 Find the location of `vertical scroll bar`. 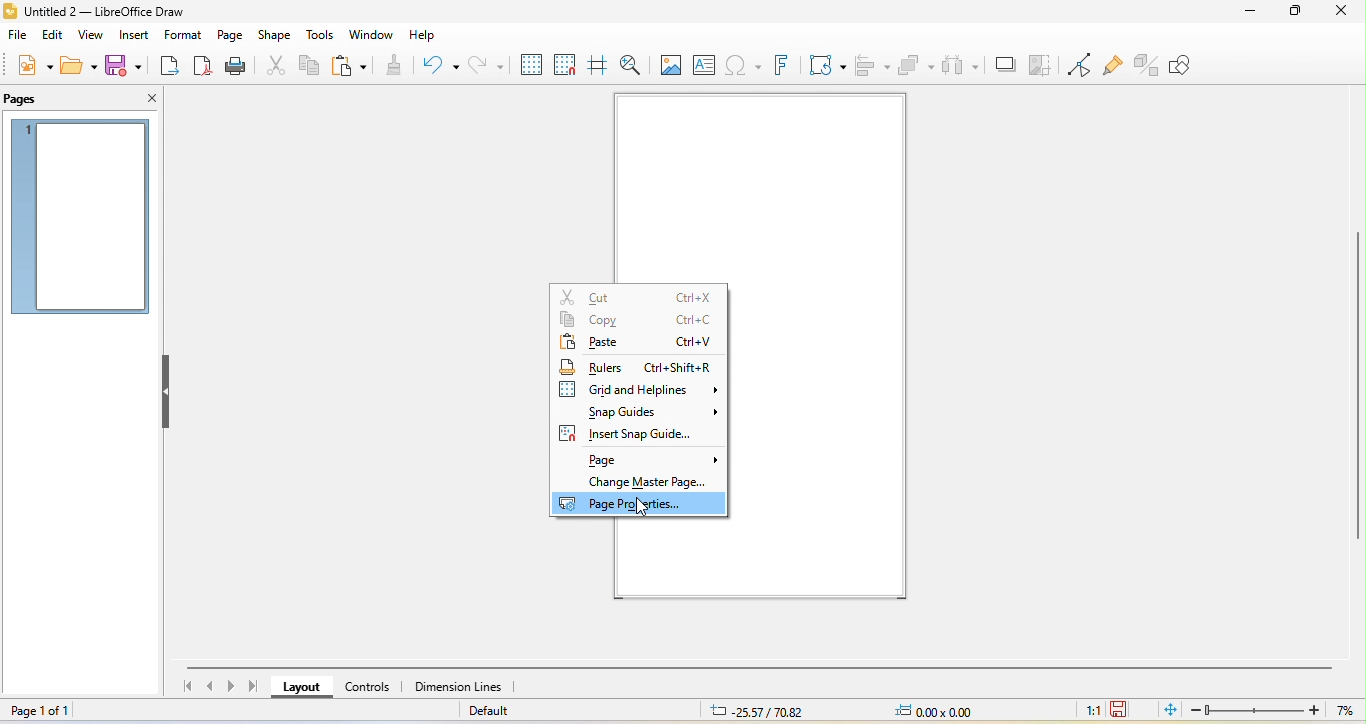

vertical scroll bar is located at coordinates (1357, 380).